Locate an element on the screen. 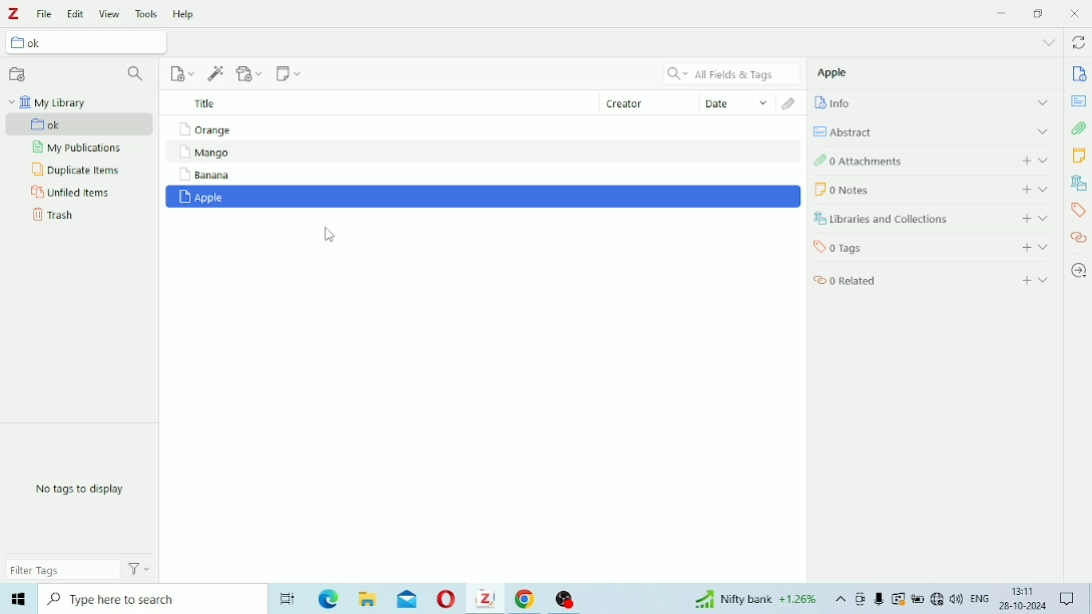  Related is located at coordinates (1079, 241).